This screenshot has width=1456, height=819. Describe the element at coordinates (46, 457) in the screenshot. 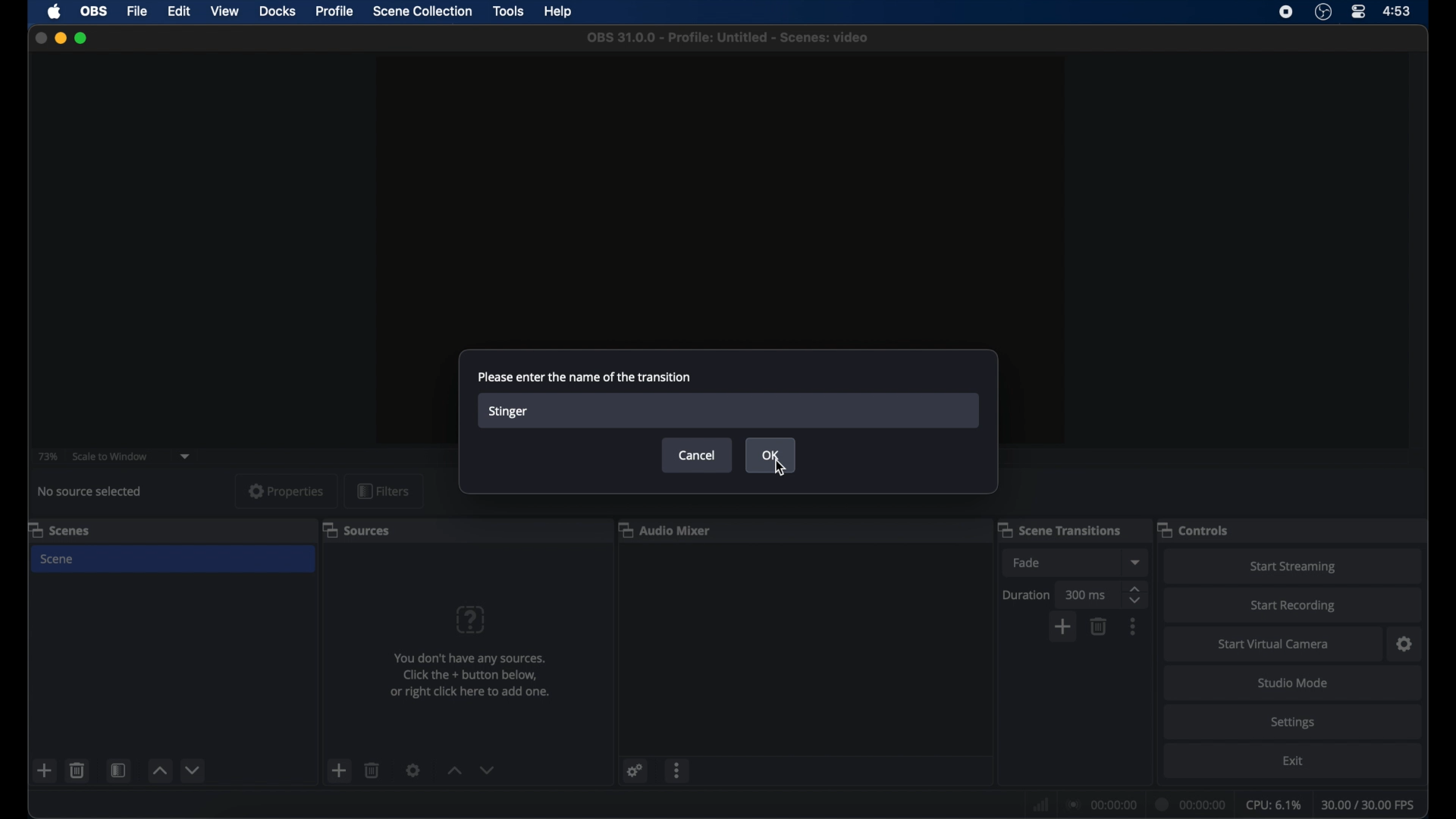

I see `73%` at that location.